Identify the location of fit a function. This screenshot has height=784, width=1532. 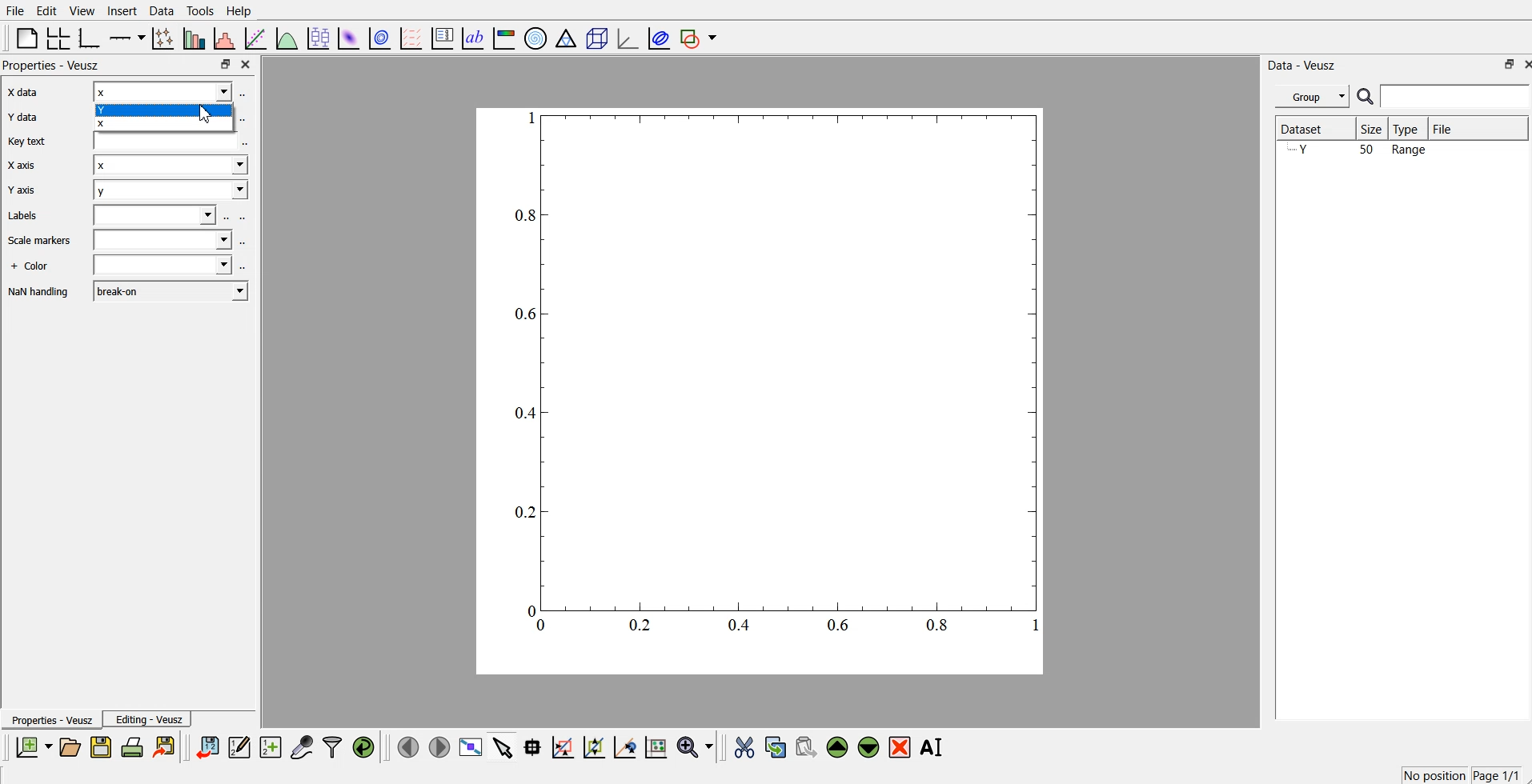
(258, 37).